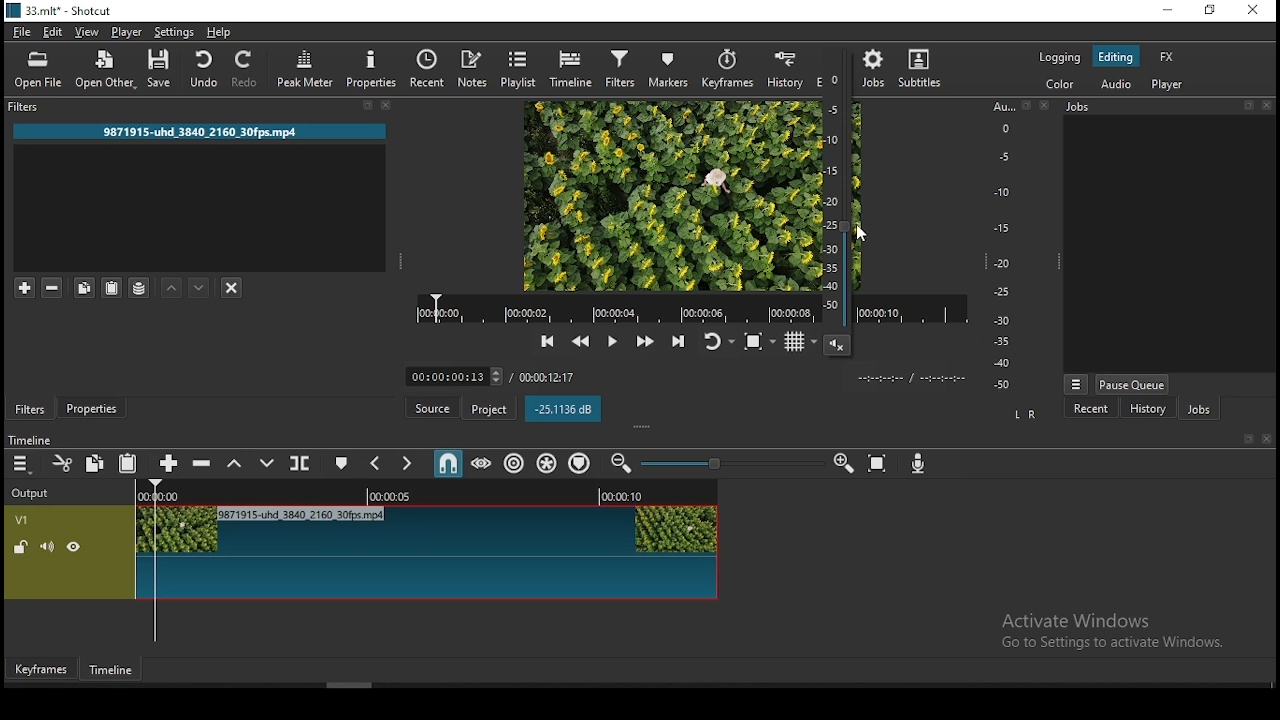  I want to click on lift, so click(235, 464).